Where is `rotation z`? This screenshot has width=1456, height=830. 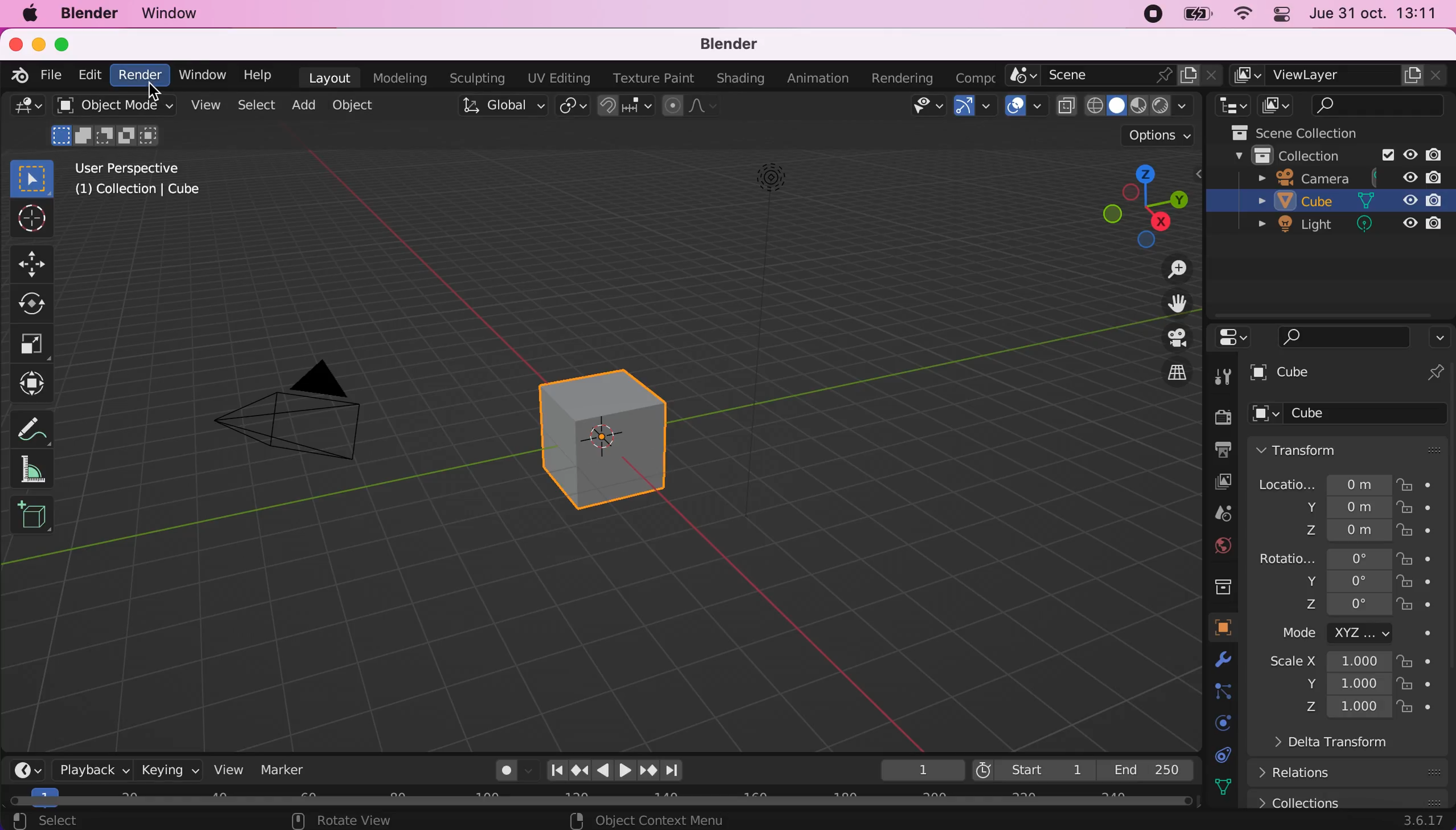 rotation z is located at coordinates (1319, 609).